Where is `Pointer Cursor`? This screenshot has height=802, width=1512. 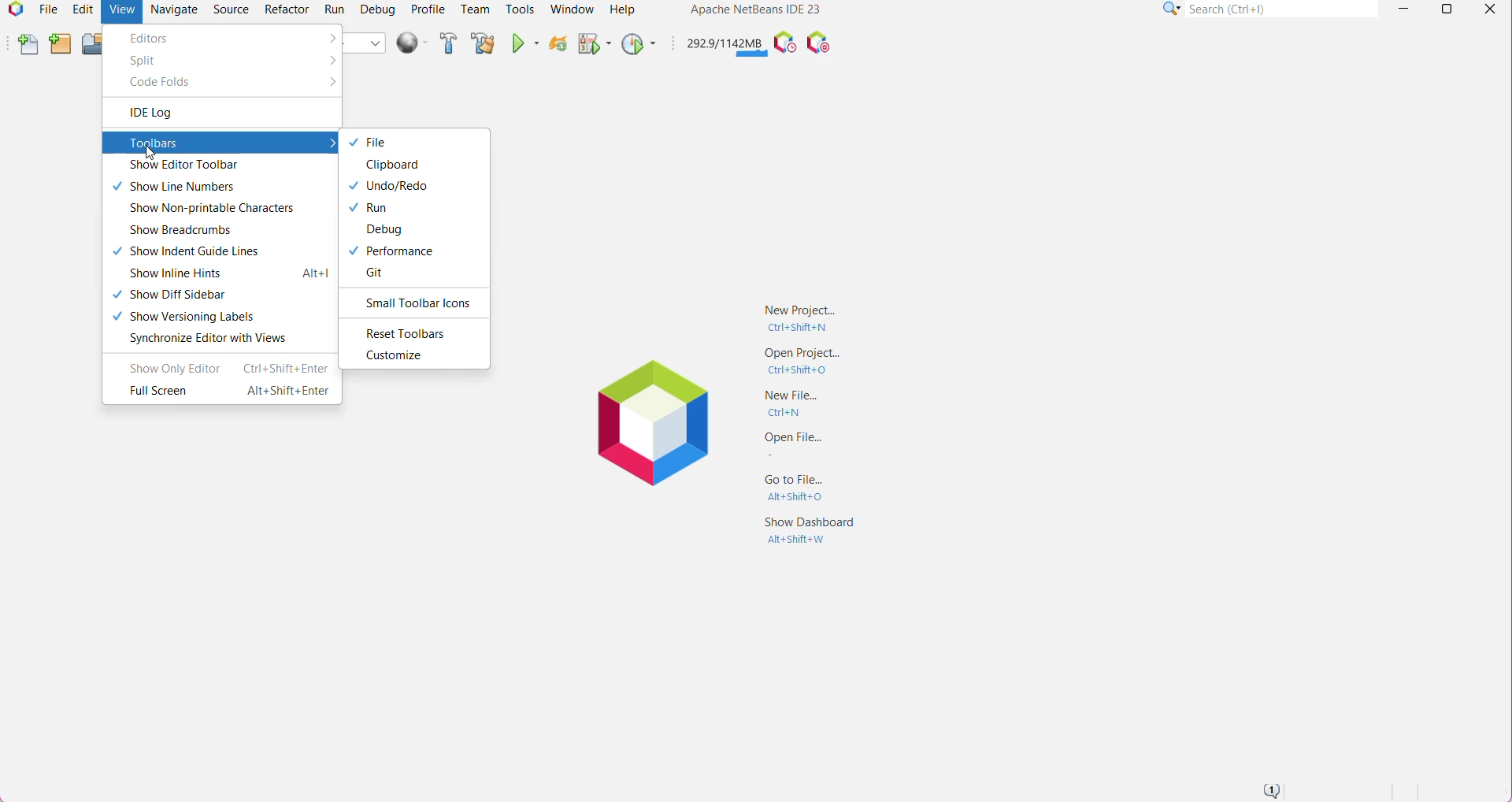
Pointer Cursor is located at coordinates (145, 152).